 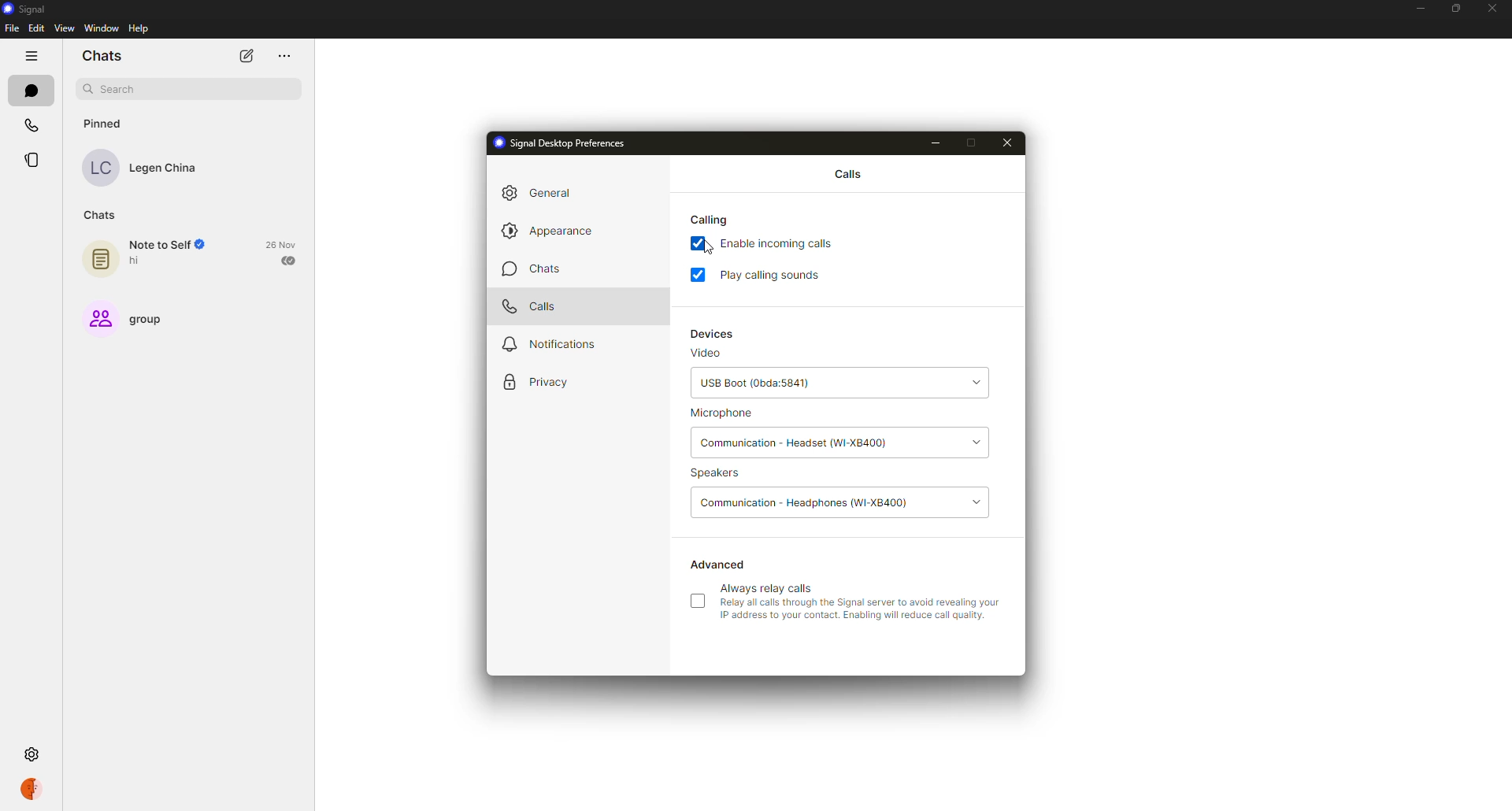 What do you see at coordinates (102, 56) in the screenshot?
I see `chats` at bounding box center [102, 56].